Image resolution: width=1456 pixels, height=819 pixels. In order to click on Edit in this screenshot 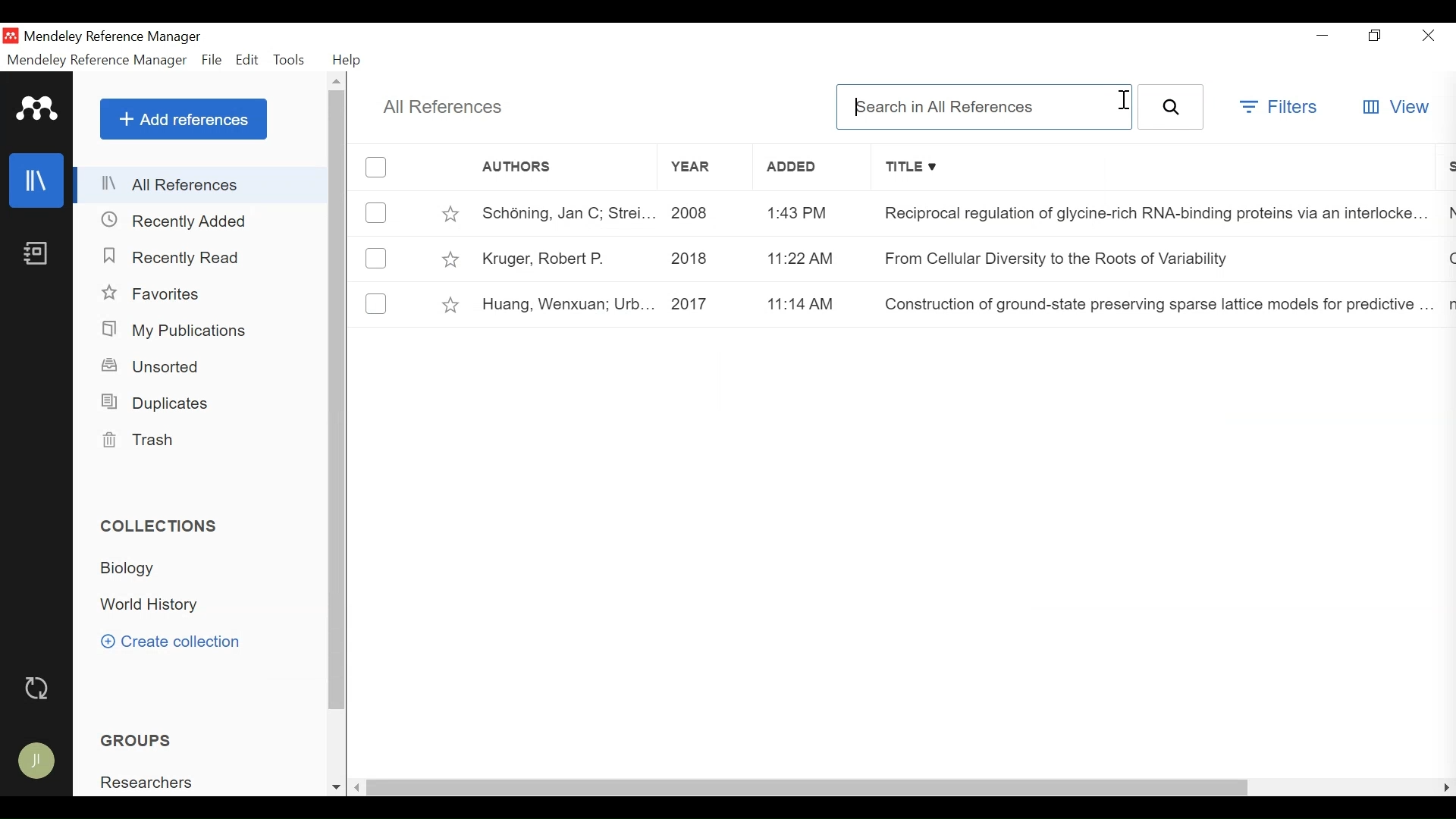, I will do `click(248, 61)`.